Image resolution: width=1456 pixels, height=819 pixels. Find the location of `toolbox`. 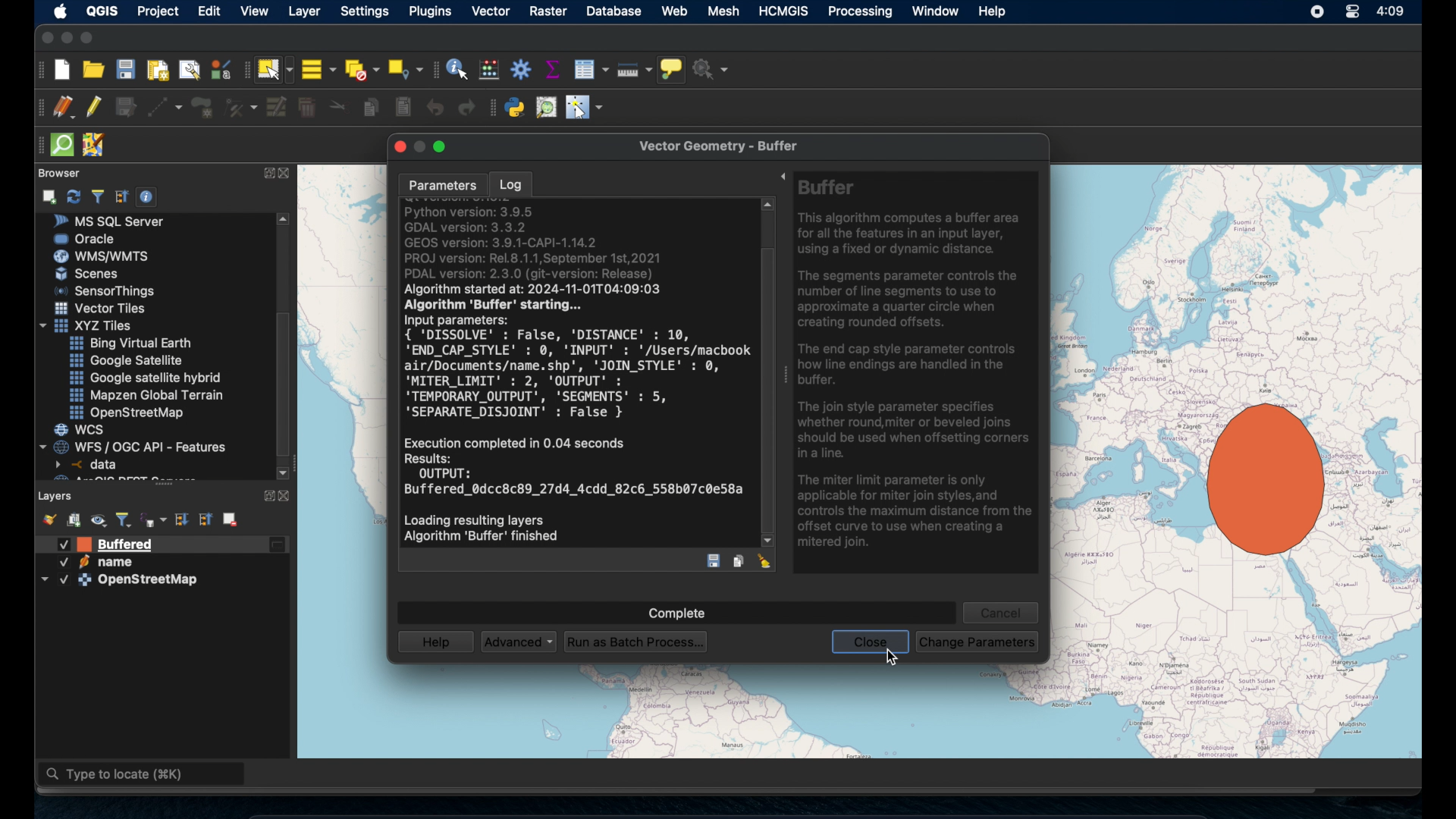

toolbox is located at coordinates (521, 70).